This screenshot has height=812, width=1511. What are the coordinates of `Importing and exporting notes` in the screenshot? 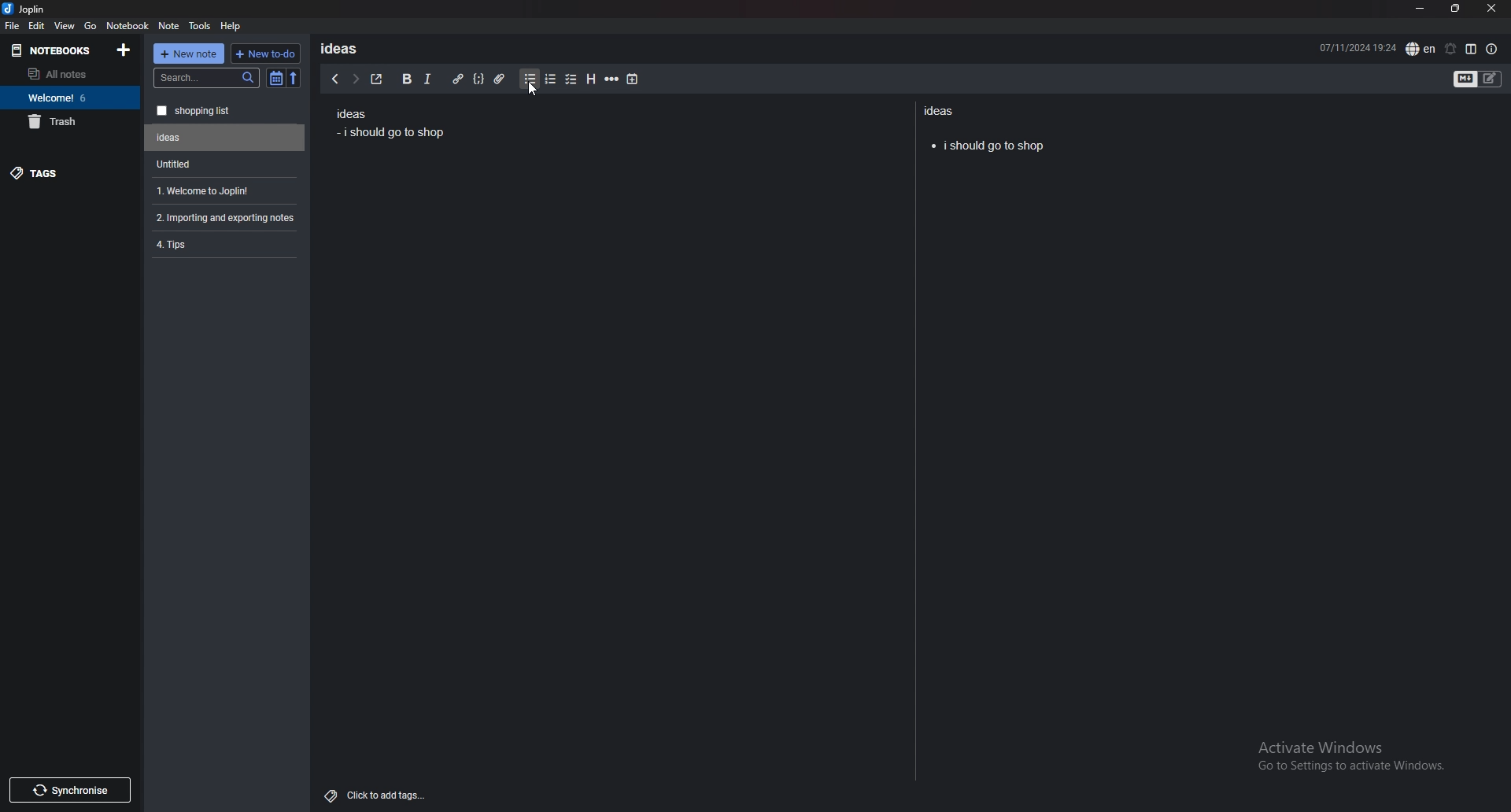 It's located at (227, 218).